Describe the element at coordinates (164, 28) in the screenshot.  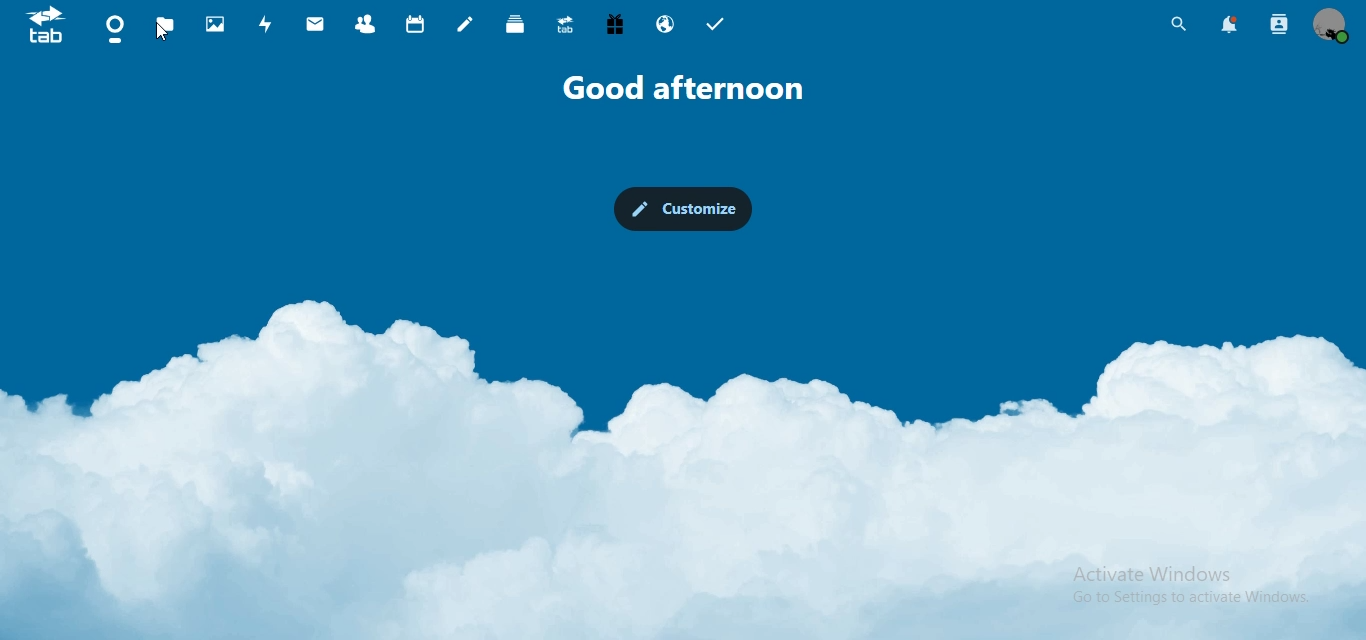
I see `files` at that location.